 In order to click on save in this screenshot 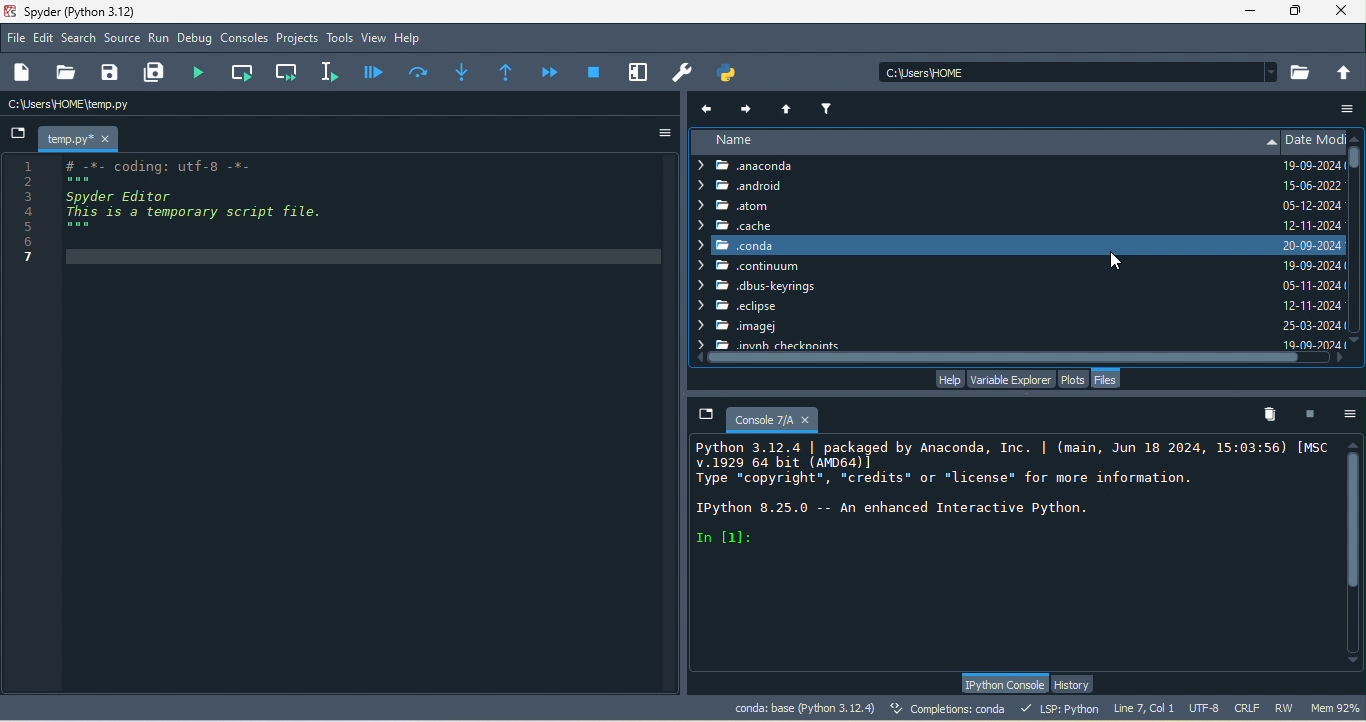, I will do `click(111, 73)`.